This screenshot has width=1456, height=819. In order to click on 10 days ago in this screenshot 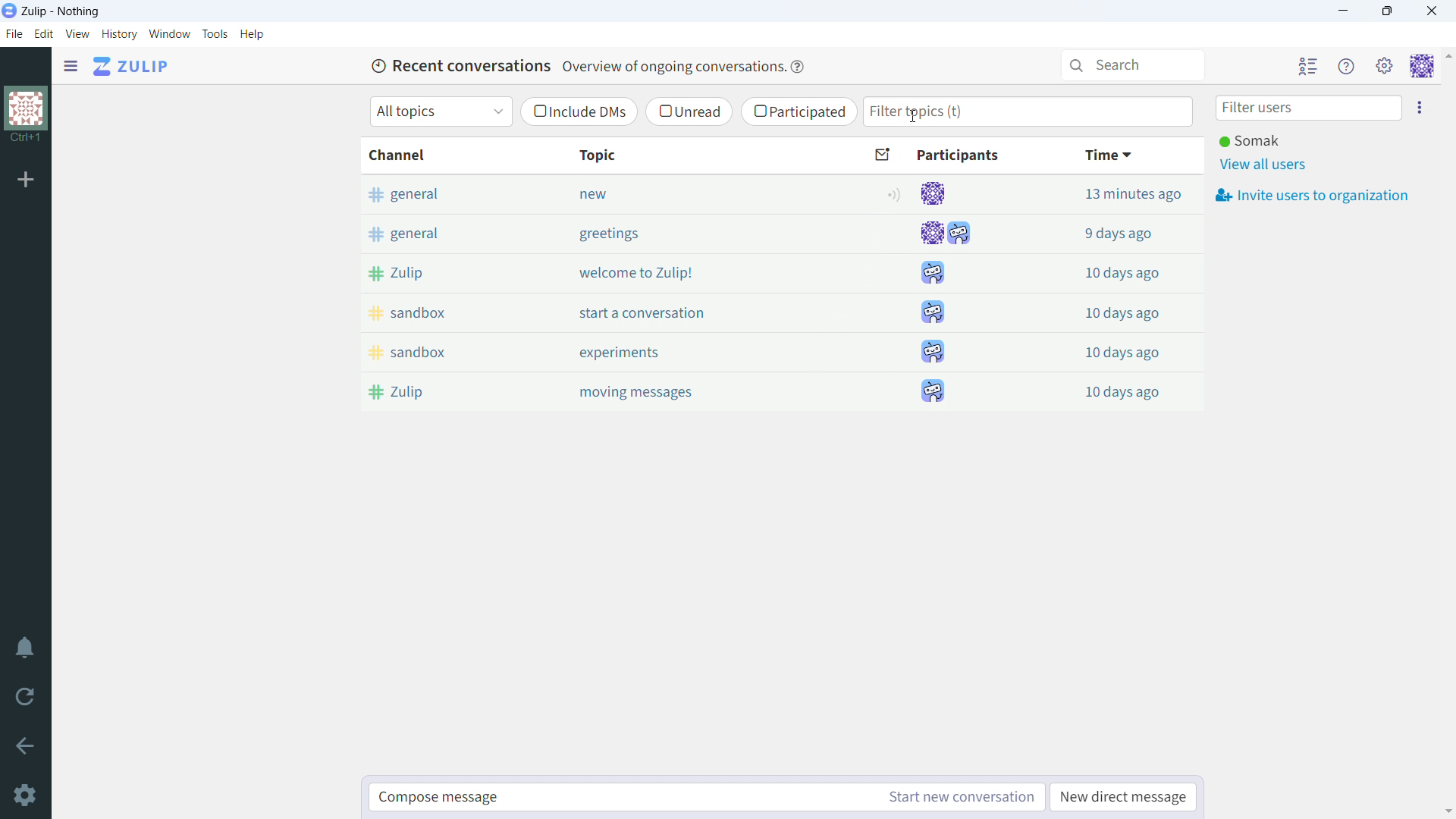, I will do `click(1108, 389)`.